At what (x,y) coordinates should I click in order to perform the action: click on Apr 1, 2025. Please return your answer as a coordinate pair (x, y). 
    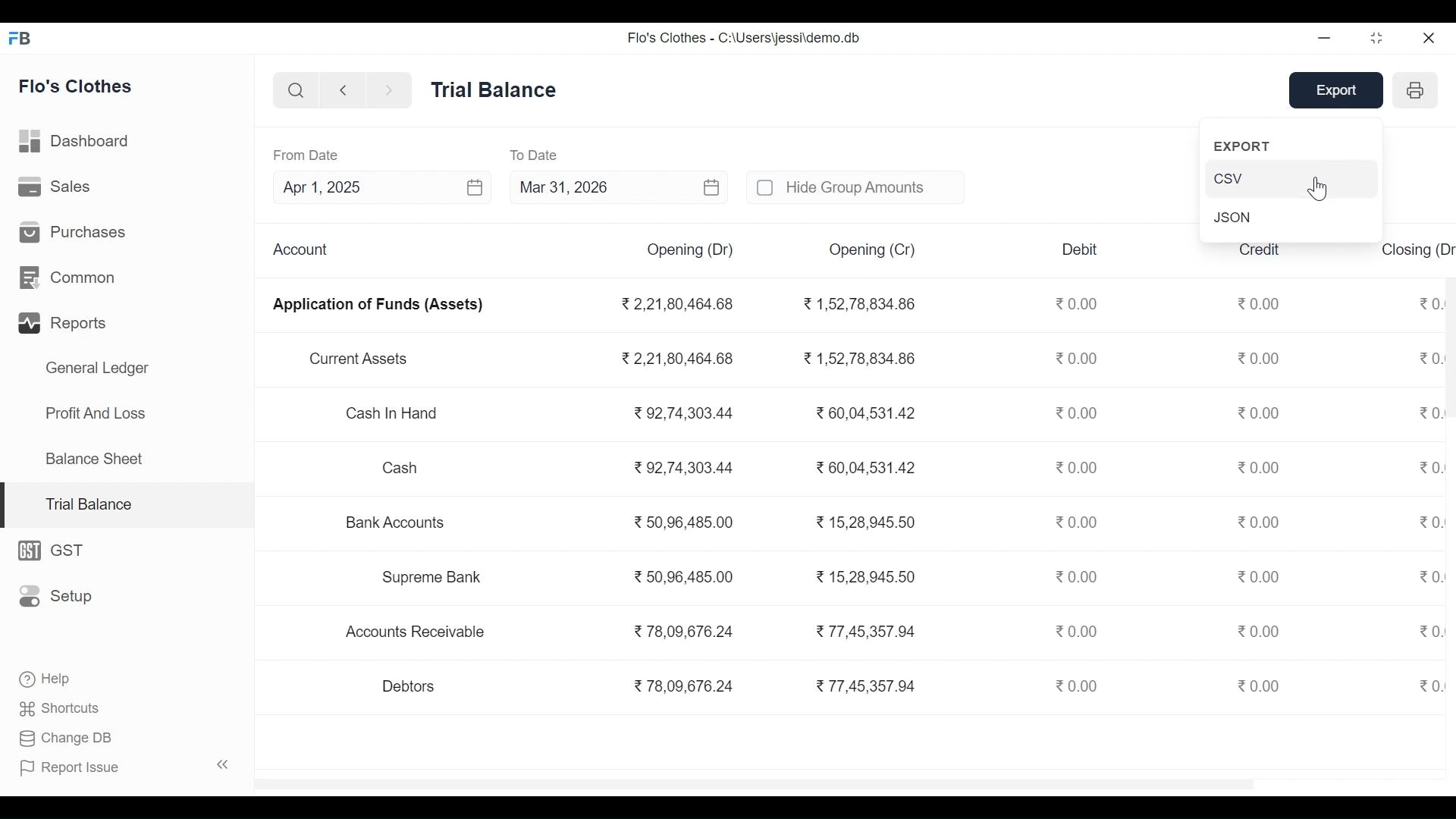
    Looking at the image, I should click on (381, 187).